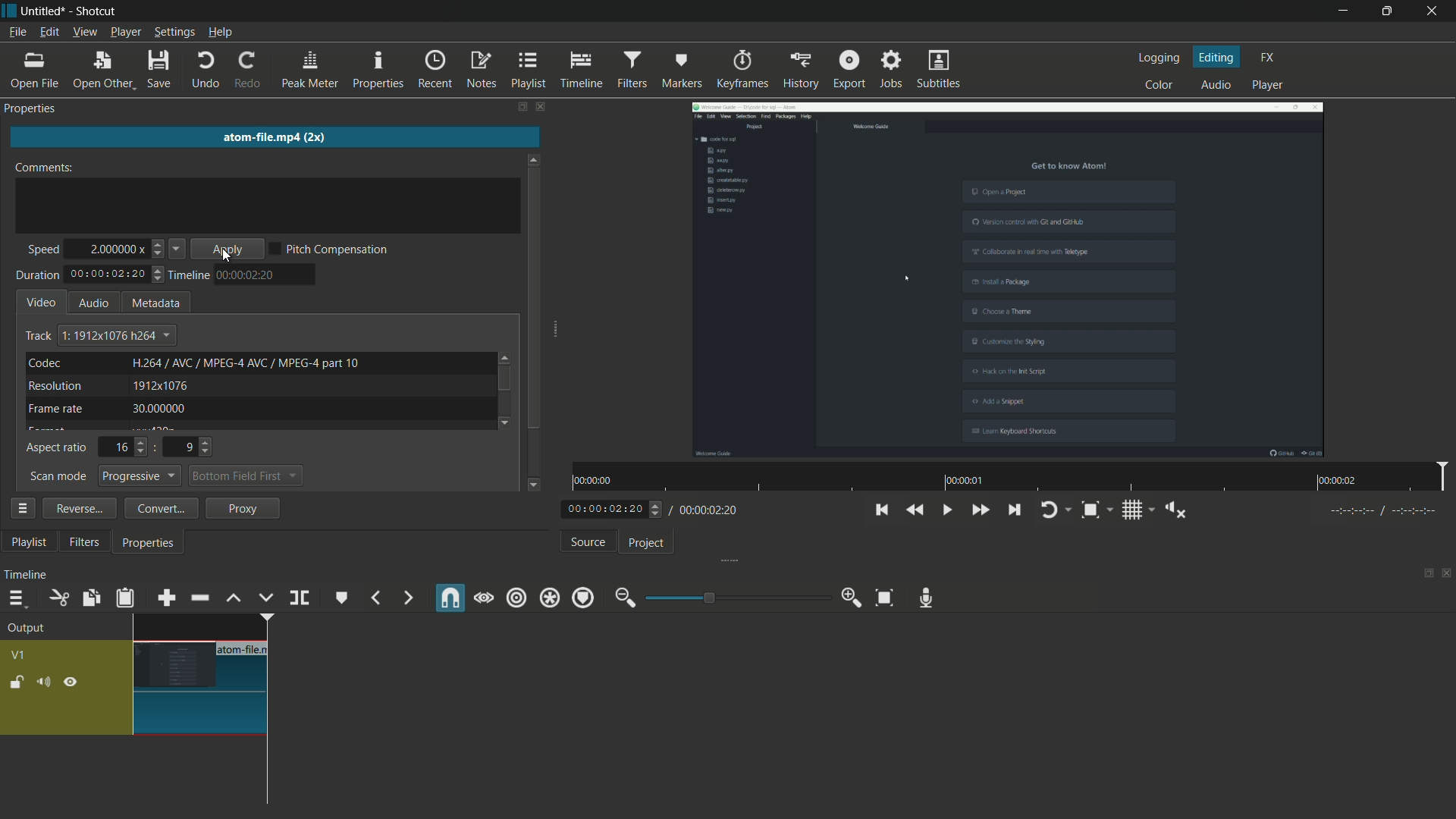 Image resolution: width=1456 pixels, height=819 pixels. I want to click on toggle player looping, so click(1050, 510).